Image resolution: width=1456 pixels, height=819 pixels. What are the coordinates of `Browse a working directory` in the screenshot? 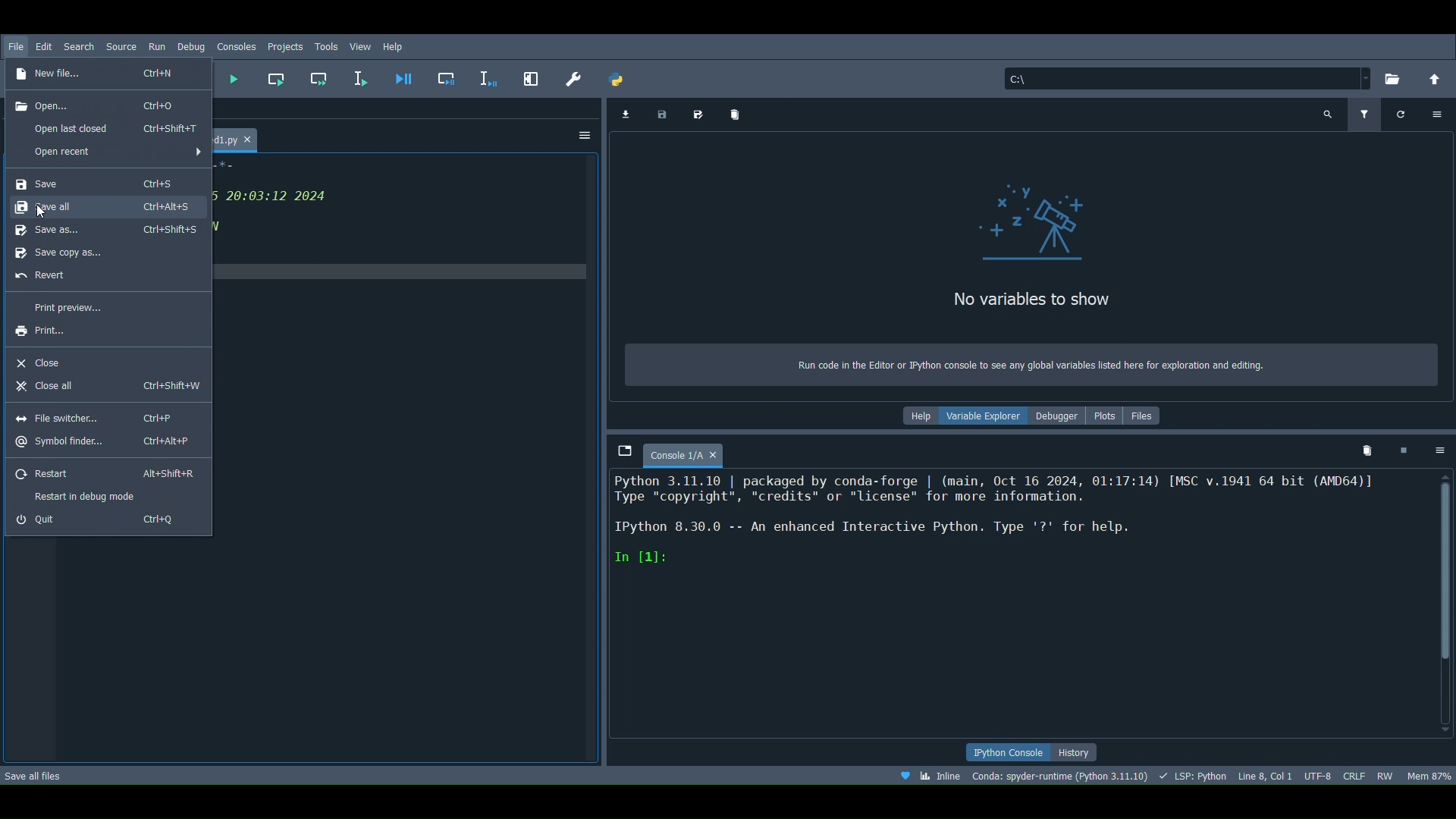 It's located at (1397, 76).